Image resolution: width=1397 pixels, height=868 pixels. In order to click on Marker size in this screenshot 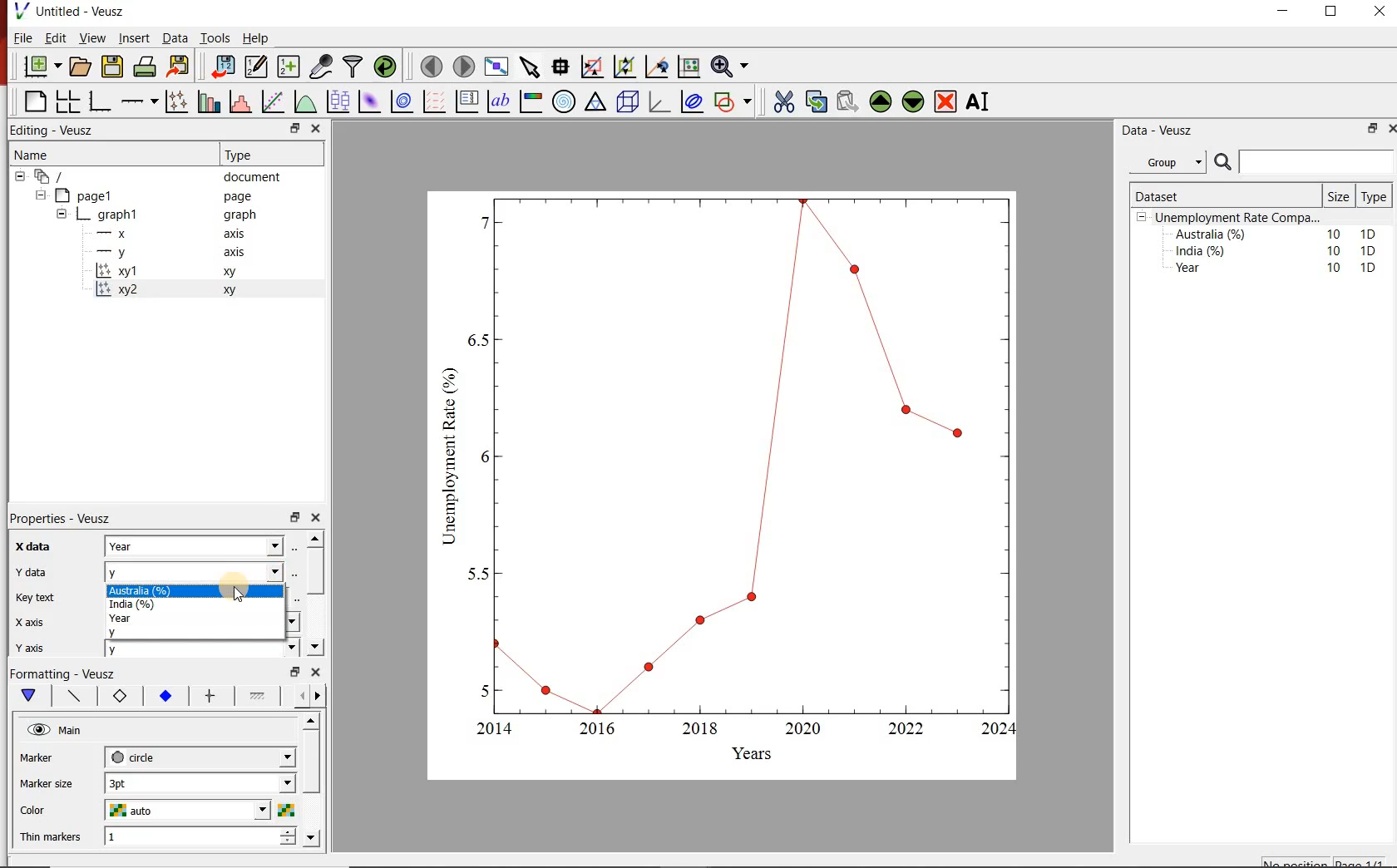, I will do `click(48, 782)`.